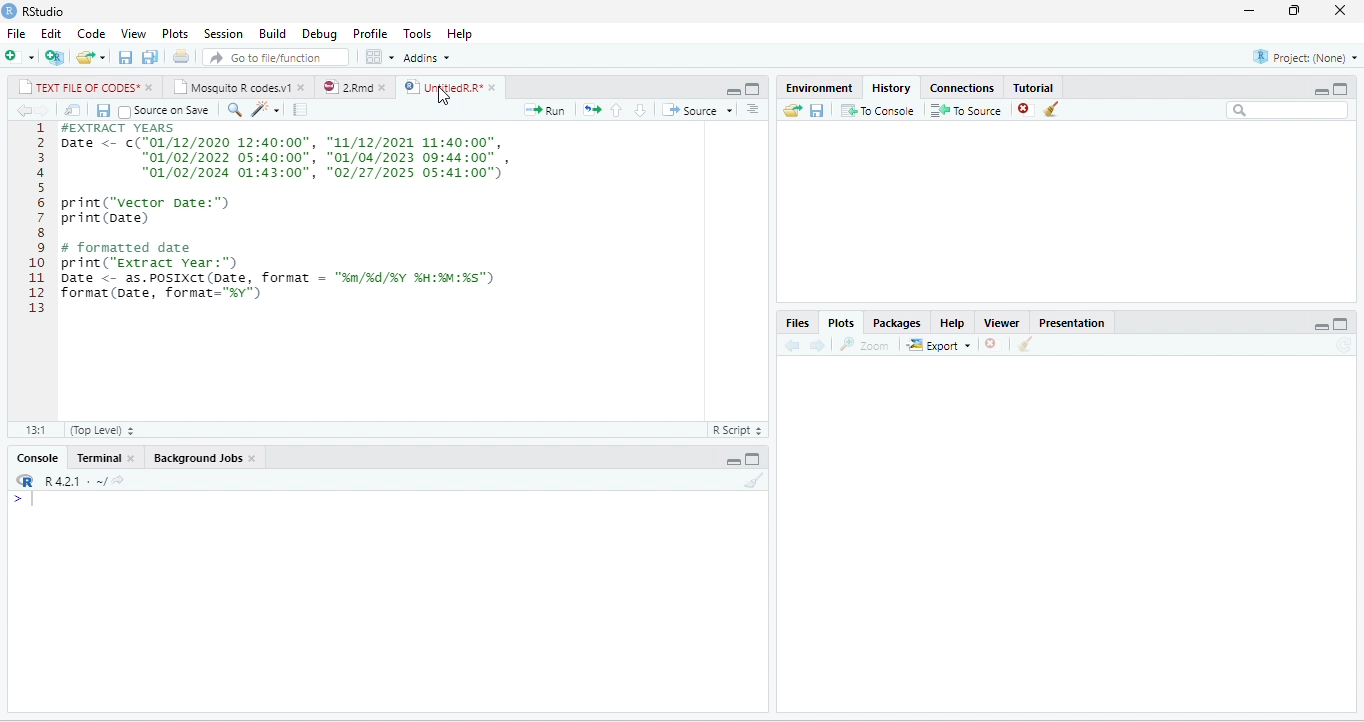  Describe the element at coordinates (51, 34) in the screenshot. I see `Edit` at that location.